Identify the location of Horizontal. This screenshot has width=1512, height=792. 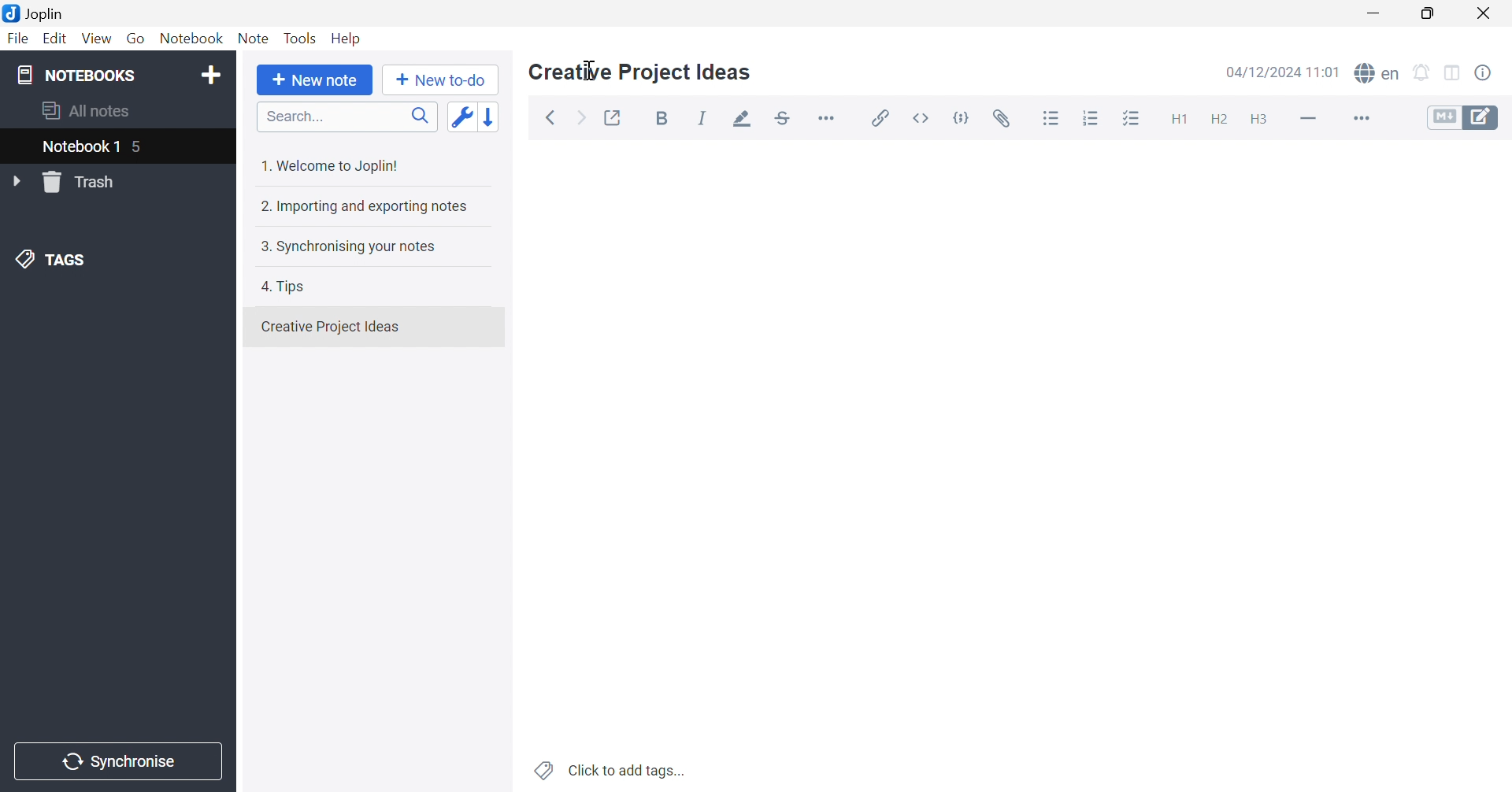
(831, 119).